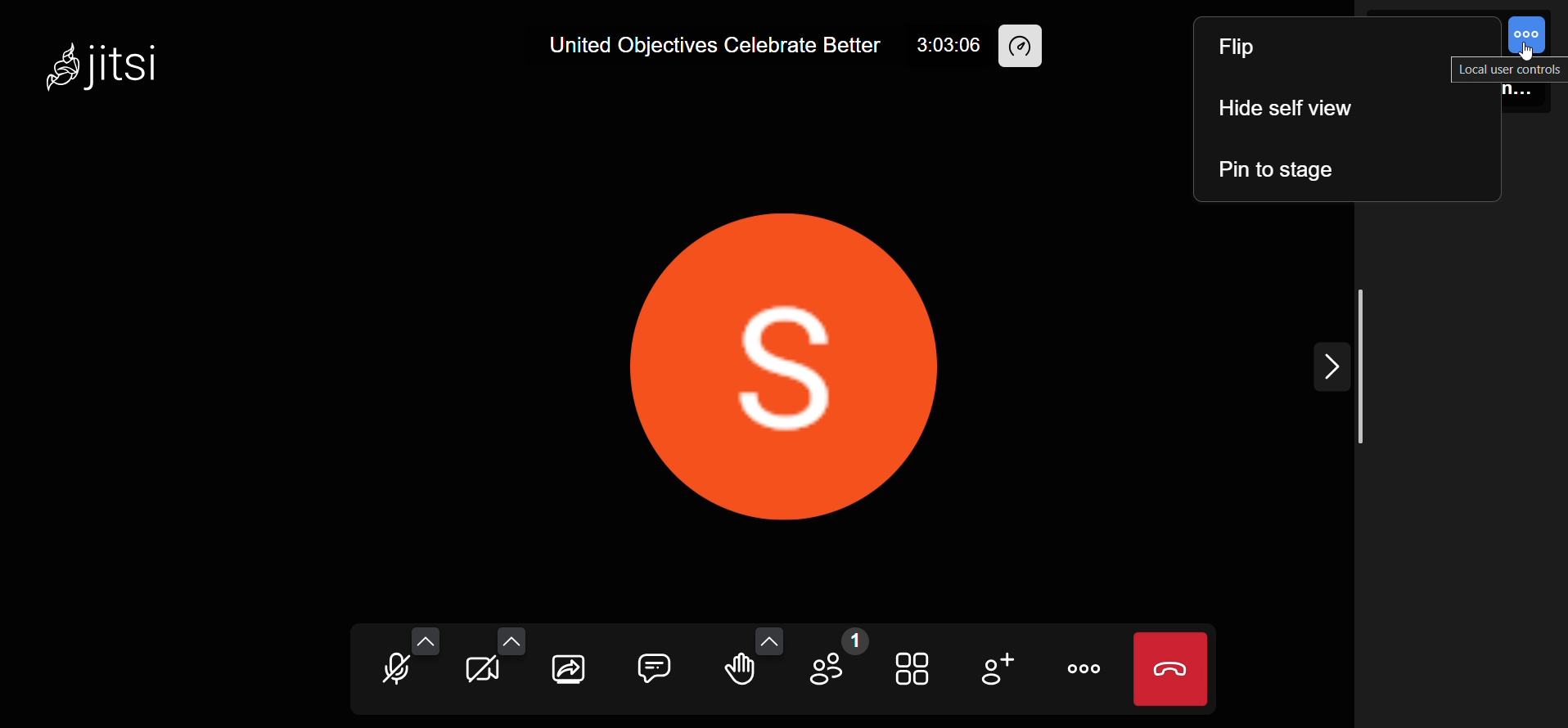  I want to click on chat, so click(655, 667).